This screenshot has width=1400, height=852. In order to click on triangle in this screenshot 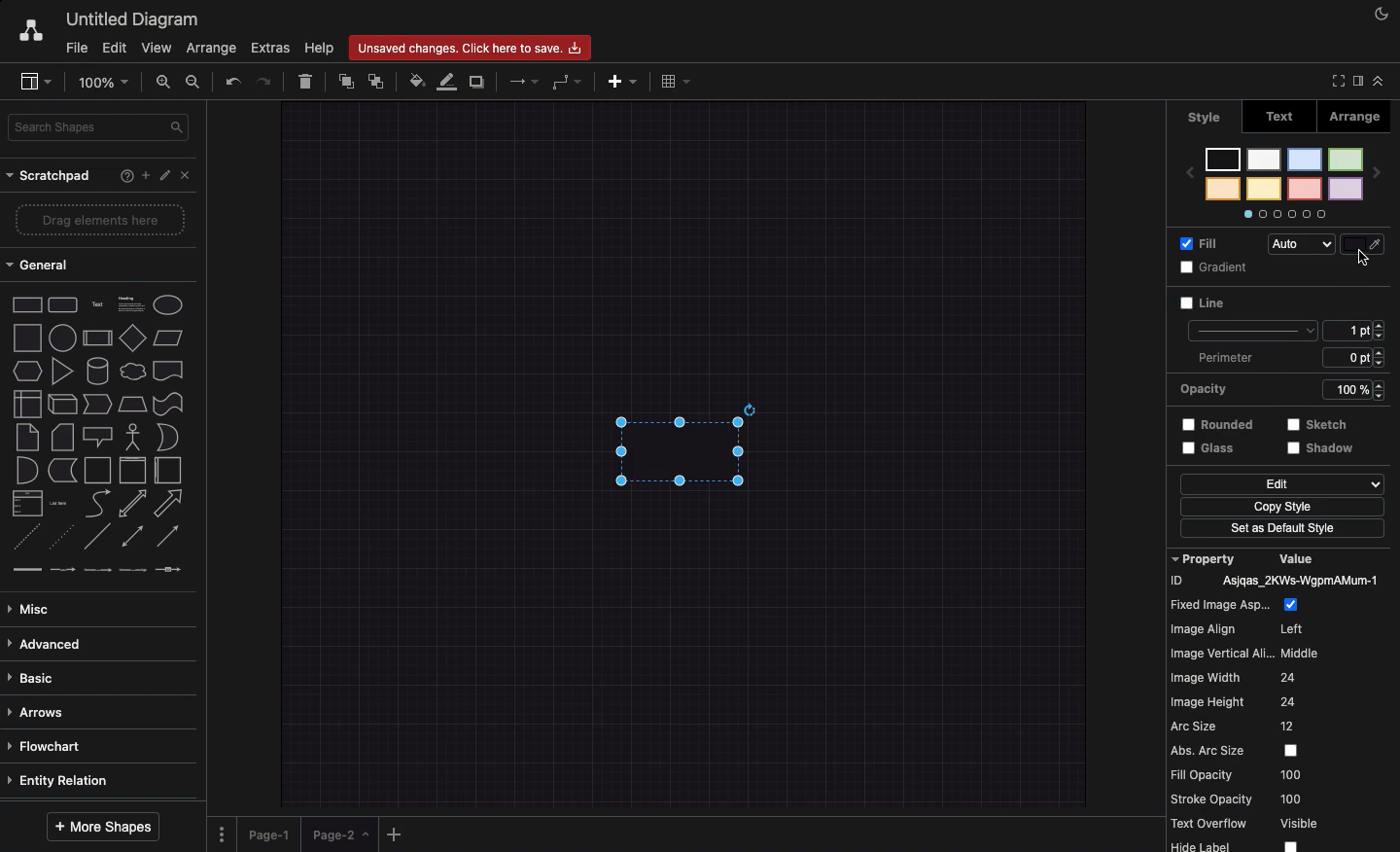, I will do `click(61, 372)`.